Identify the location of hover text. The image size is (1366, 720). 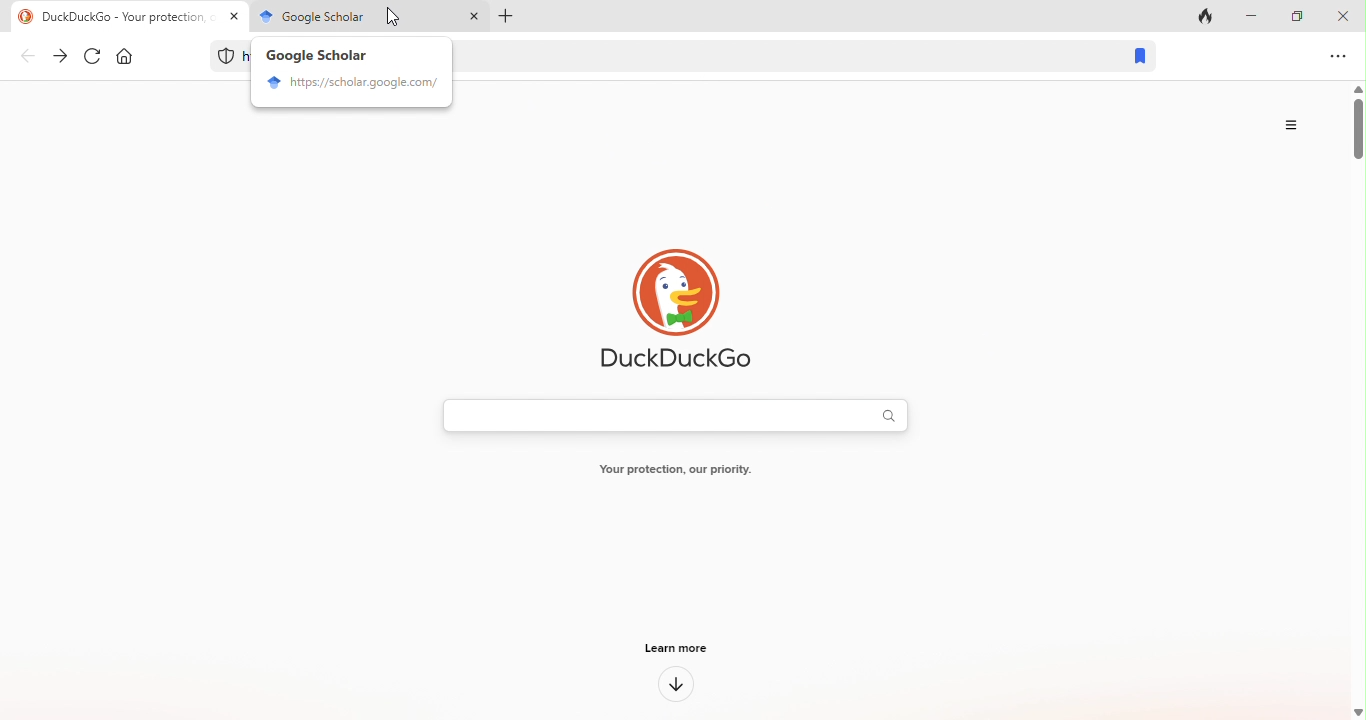
(318, 55).